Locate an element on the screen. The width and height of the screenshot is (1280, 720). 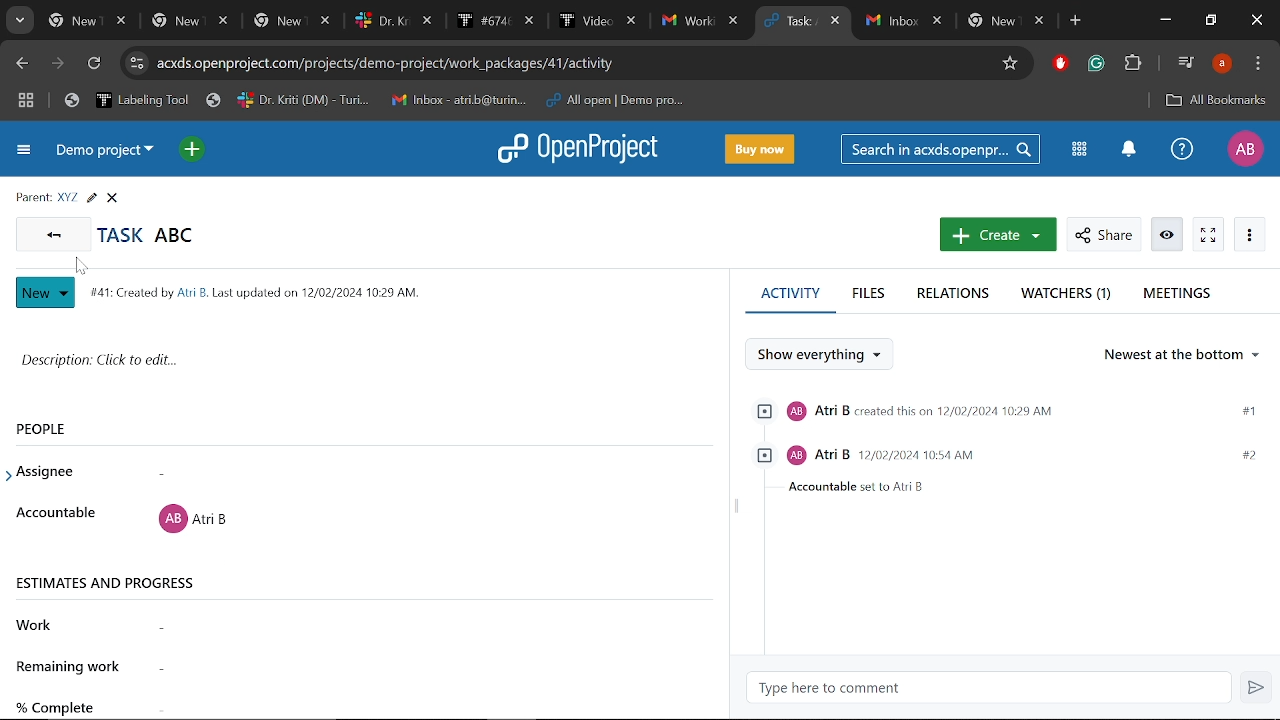
Current project is located at coordinates (105, 152).